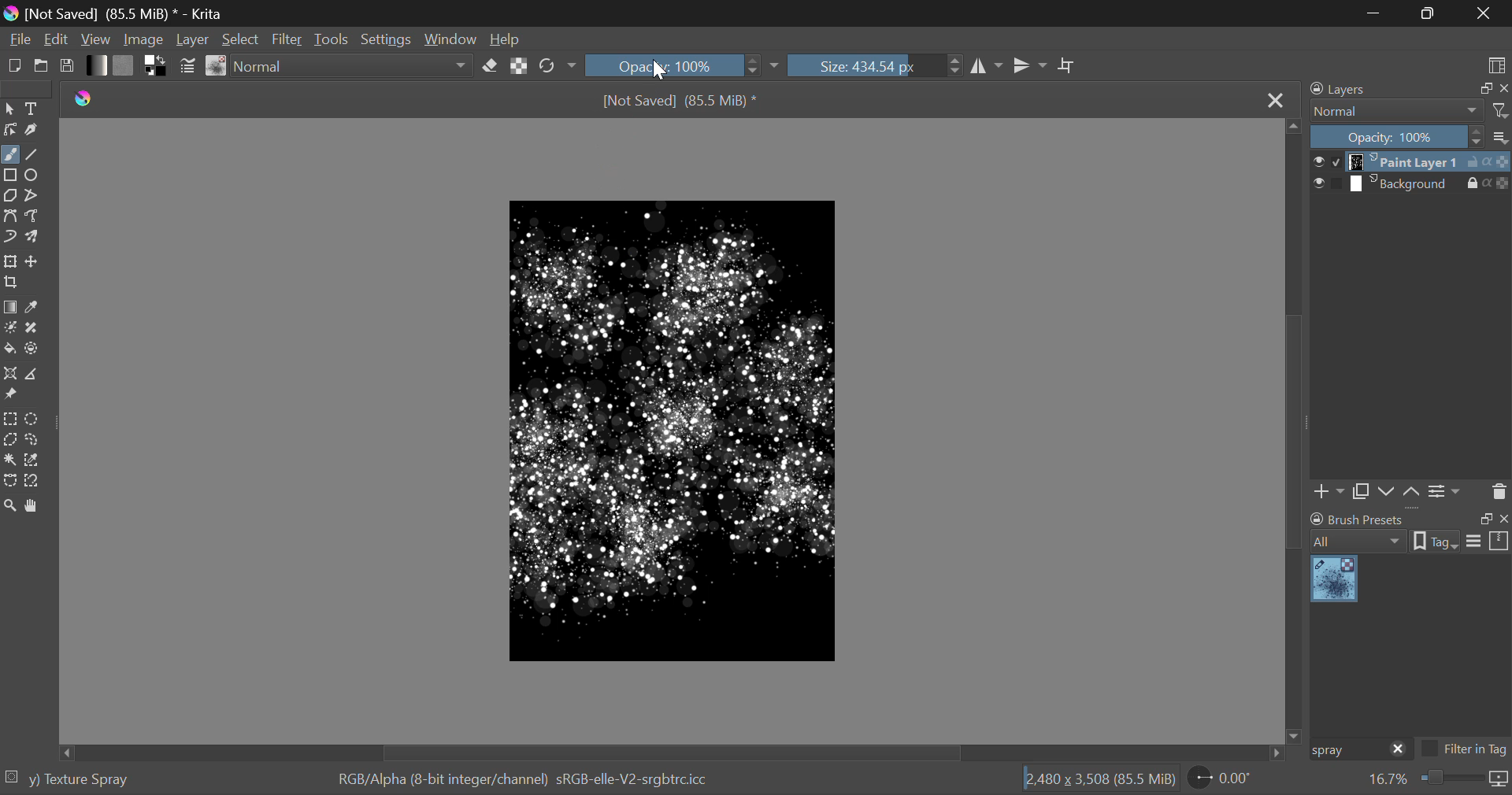  I want to click on layer 1, so click(1406, 163).